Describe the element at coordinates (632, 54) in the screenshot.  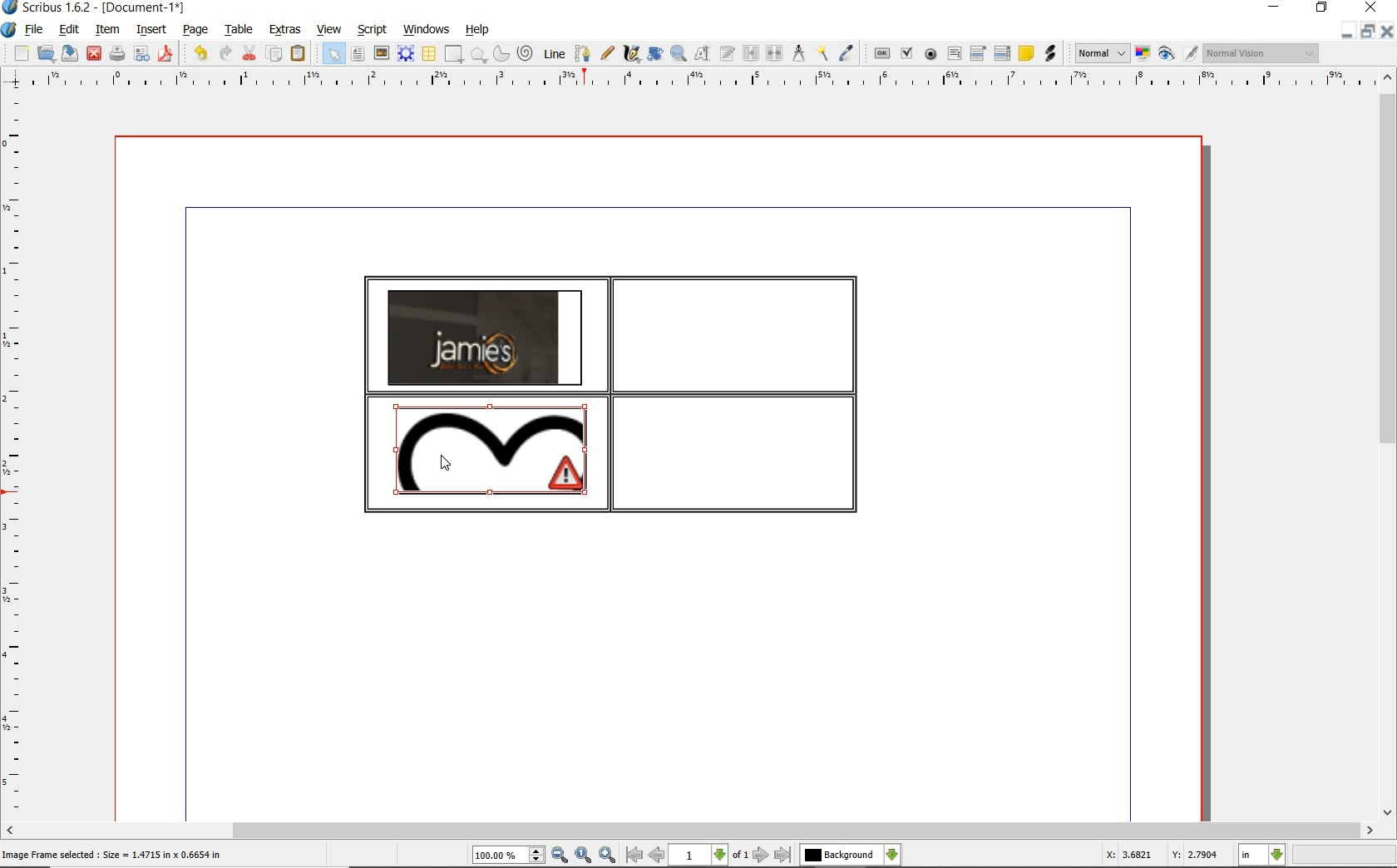
I see `calligraphic line` at that location.